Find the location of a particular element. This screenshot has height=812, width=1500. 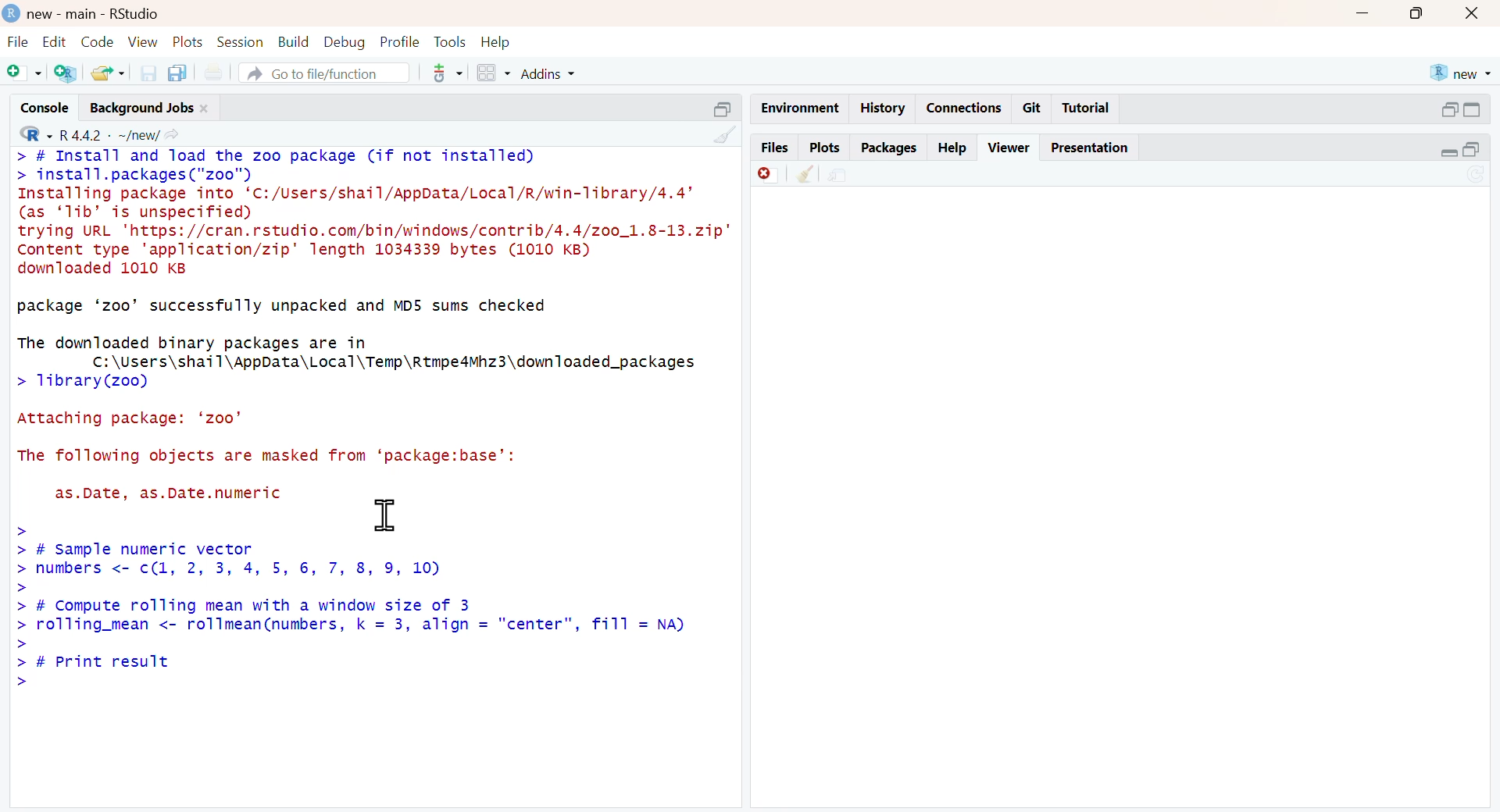

add R file is located at coordinates (67, 72).